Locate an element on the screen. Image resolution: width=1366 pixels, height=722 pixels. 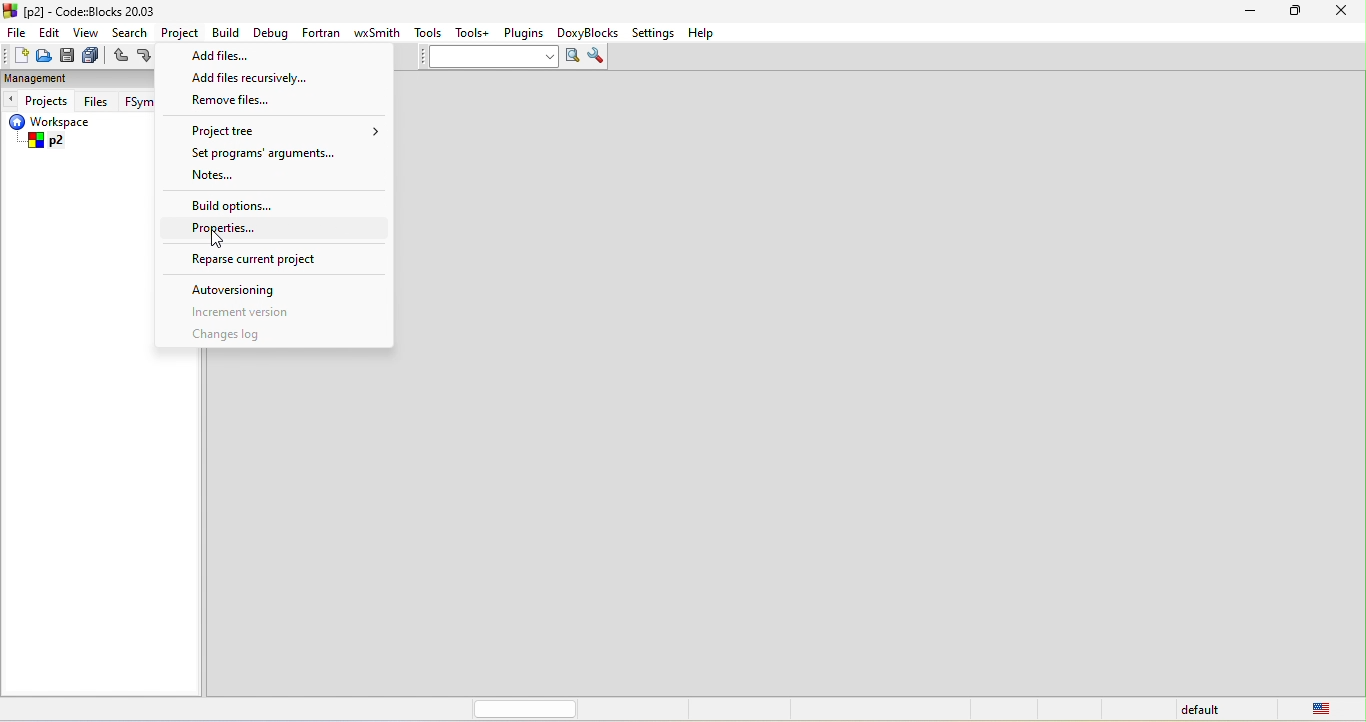
view is located at coordinates (86, 33).